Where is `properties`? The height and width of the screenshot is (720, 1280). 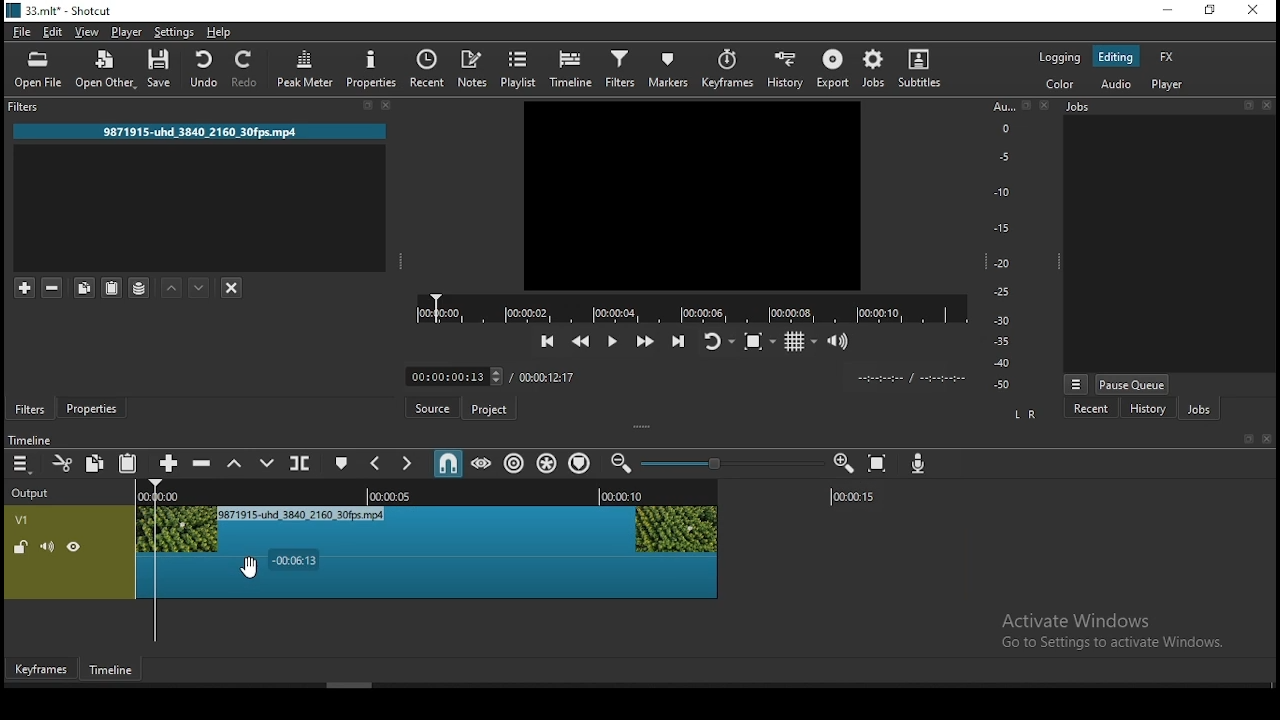
properties is located at coordinates (373, 70).